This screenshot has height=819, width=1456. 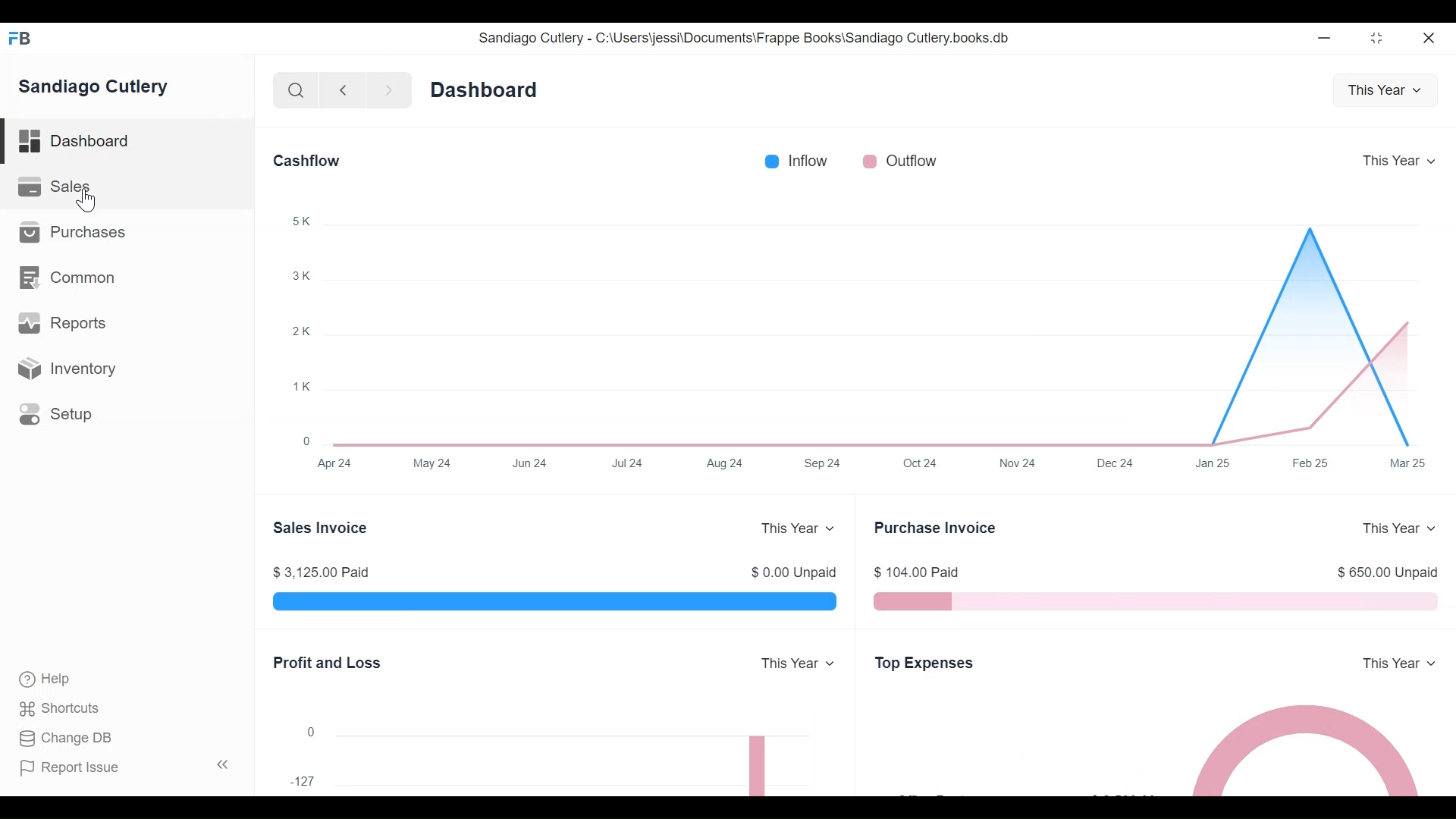 What do you see at coordinates (69, 767) in the screenshot?
I see `Report issue` at bounding box center [69, 767].